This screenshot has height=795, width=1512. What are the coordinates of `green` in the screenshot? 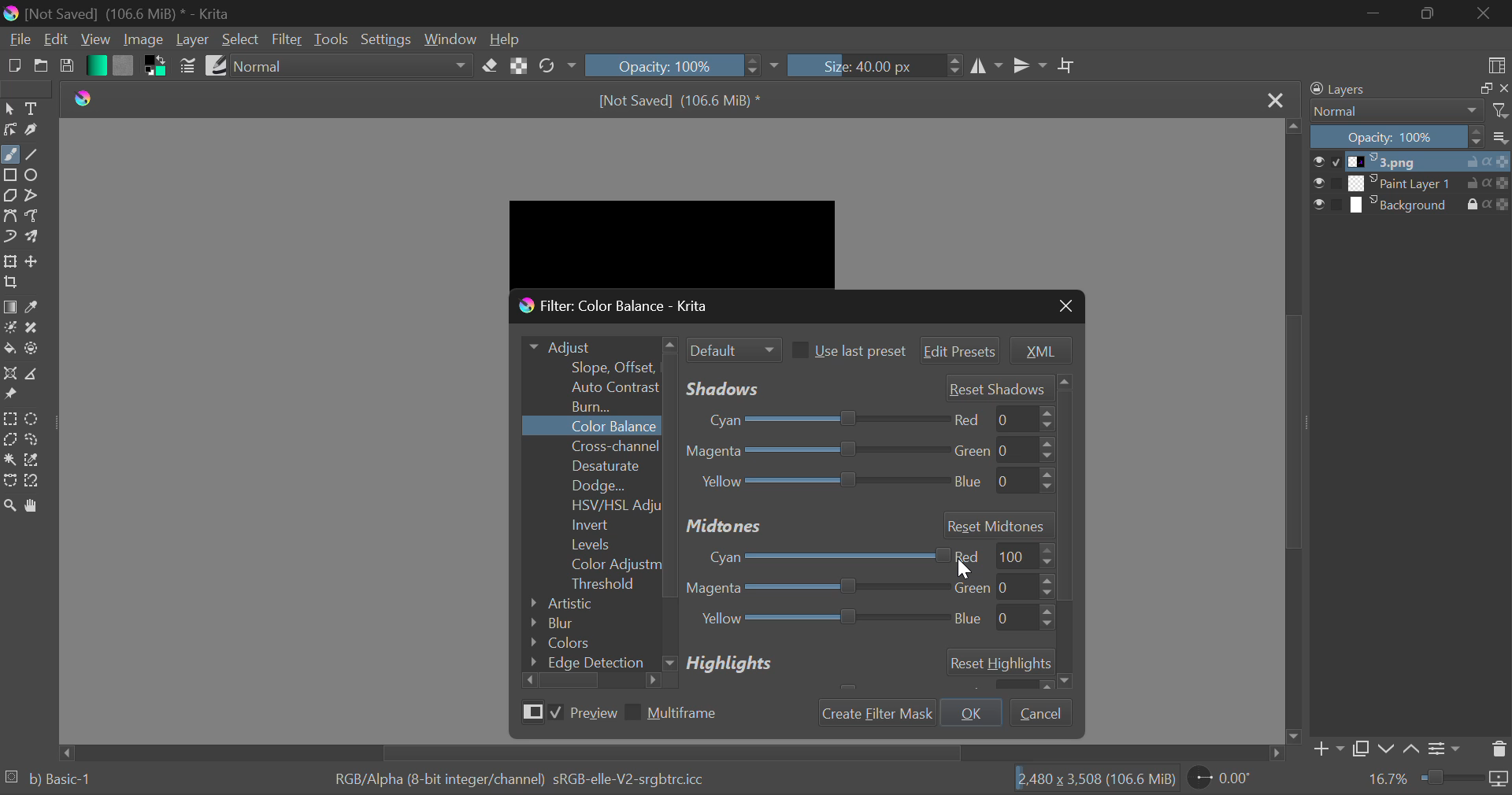 It's located at (1004, 449).